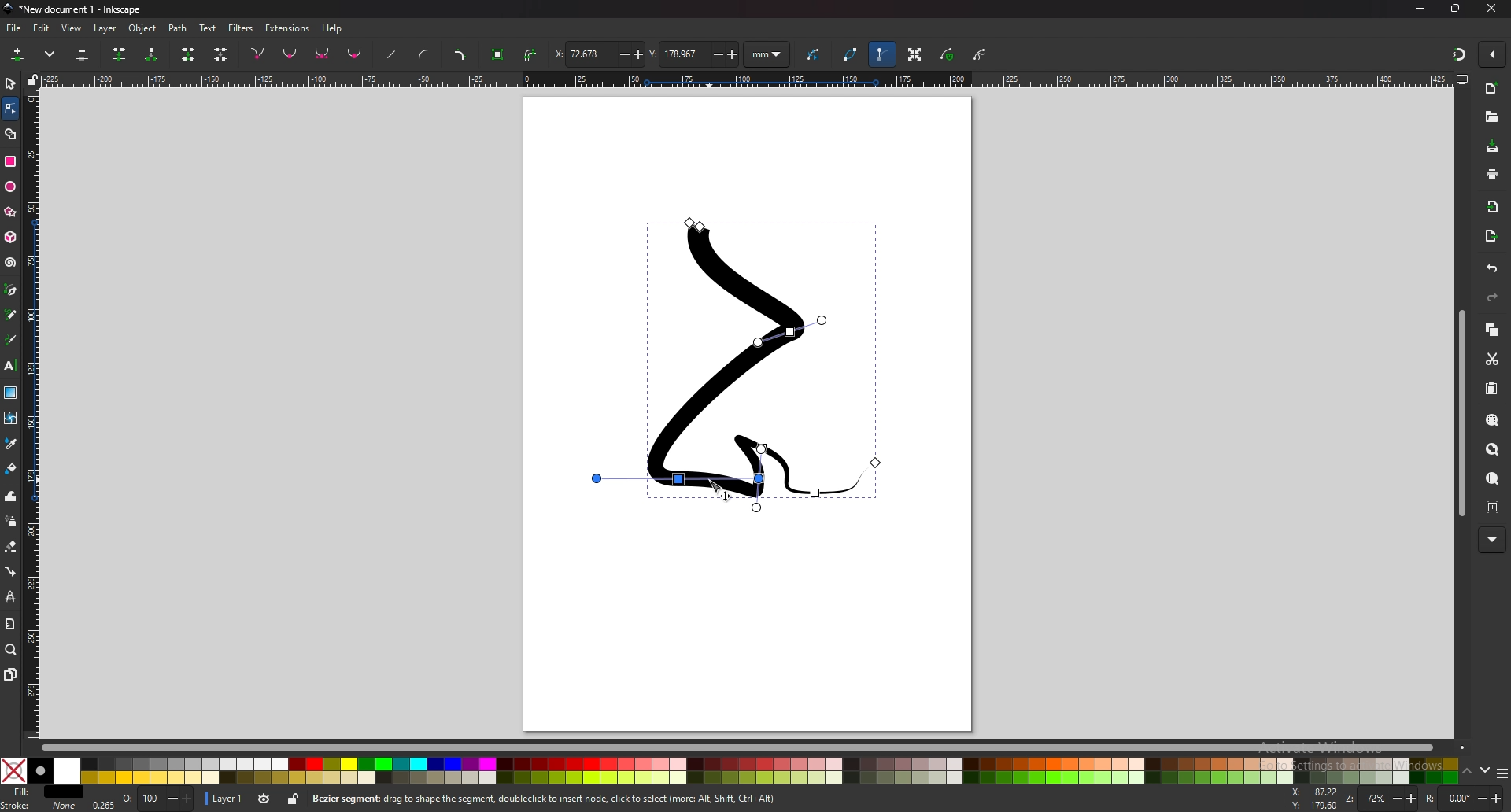  What do you see at coordinates (1312, 799) in the screenshot?
I see `mouse coordinates` at bounding box center [1312, 799].